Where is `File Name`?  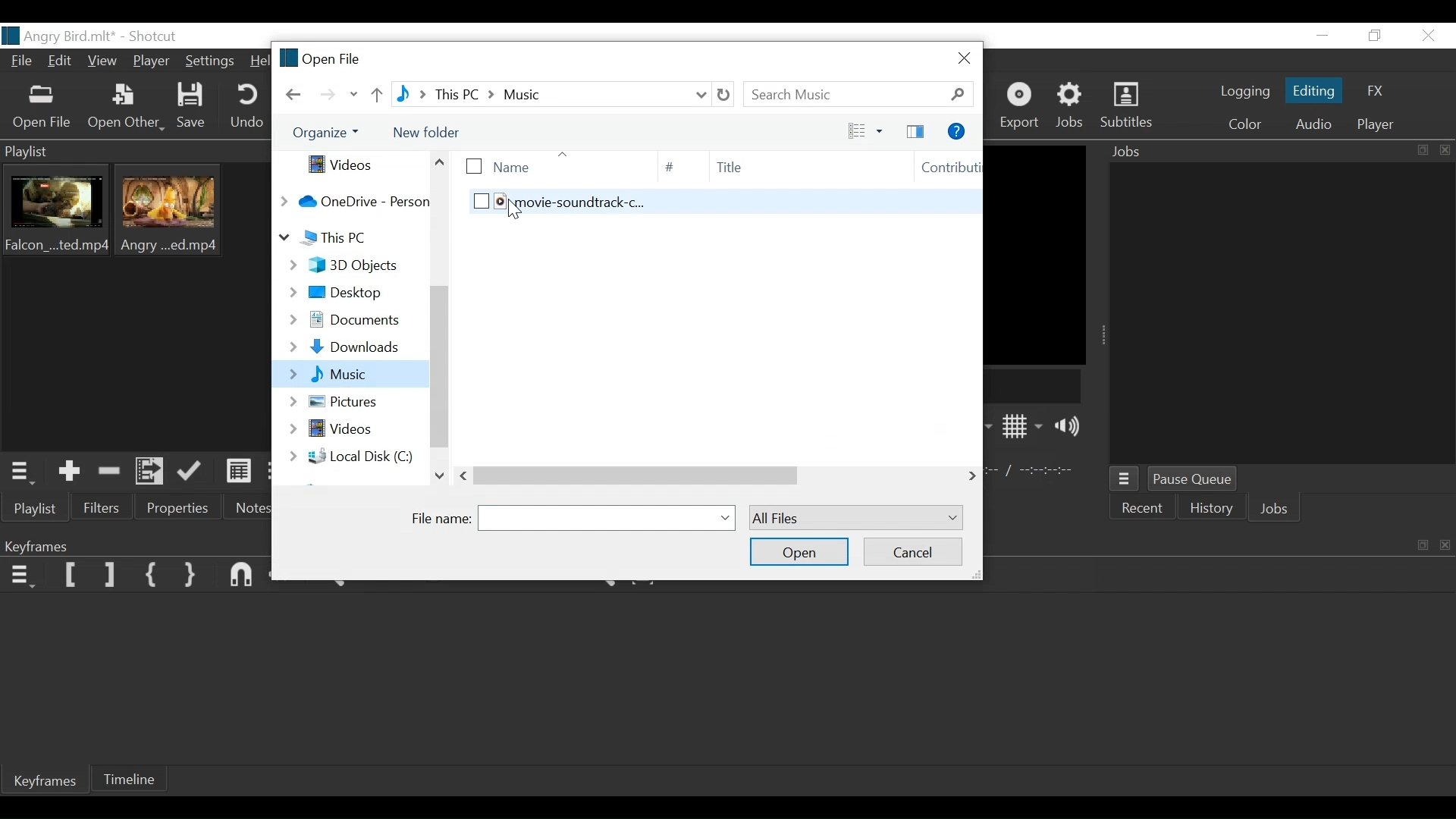 File Name is located at coordinates (59, 35).